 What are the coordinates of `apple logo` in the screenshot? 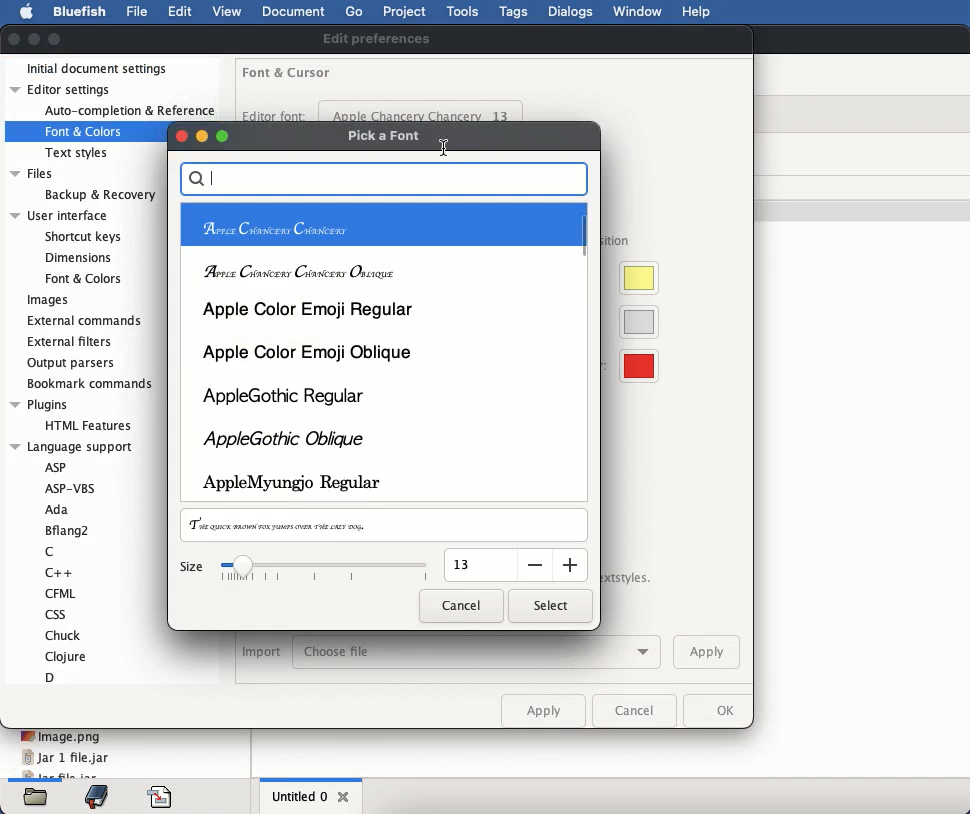 It's located at (27, 12).